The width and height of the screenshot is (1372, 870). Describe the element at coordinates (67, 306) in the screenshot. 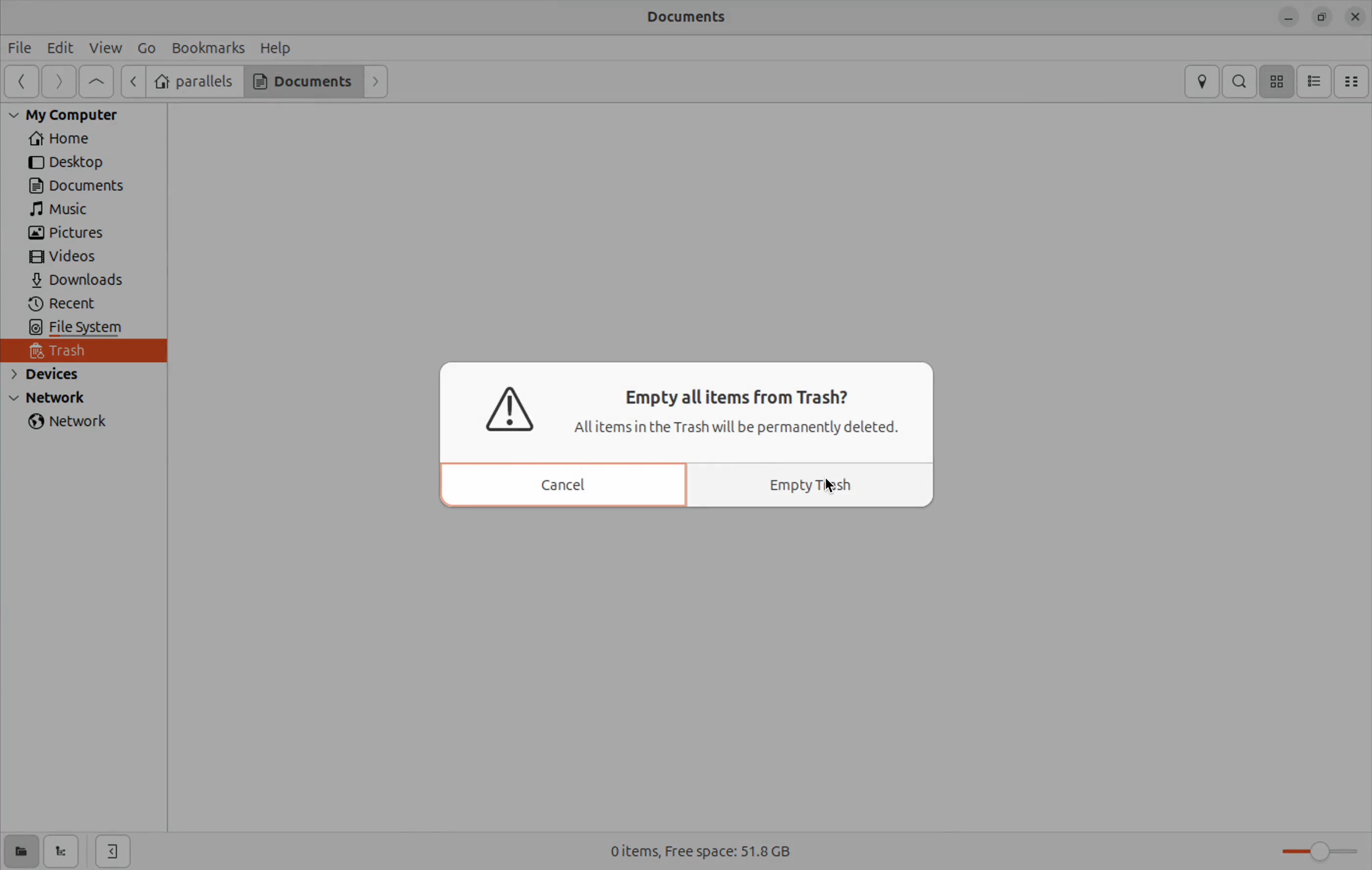

I see `recent` at that location.